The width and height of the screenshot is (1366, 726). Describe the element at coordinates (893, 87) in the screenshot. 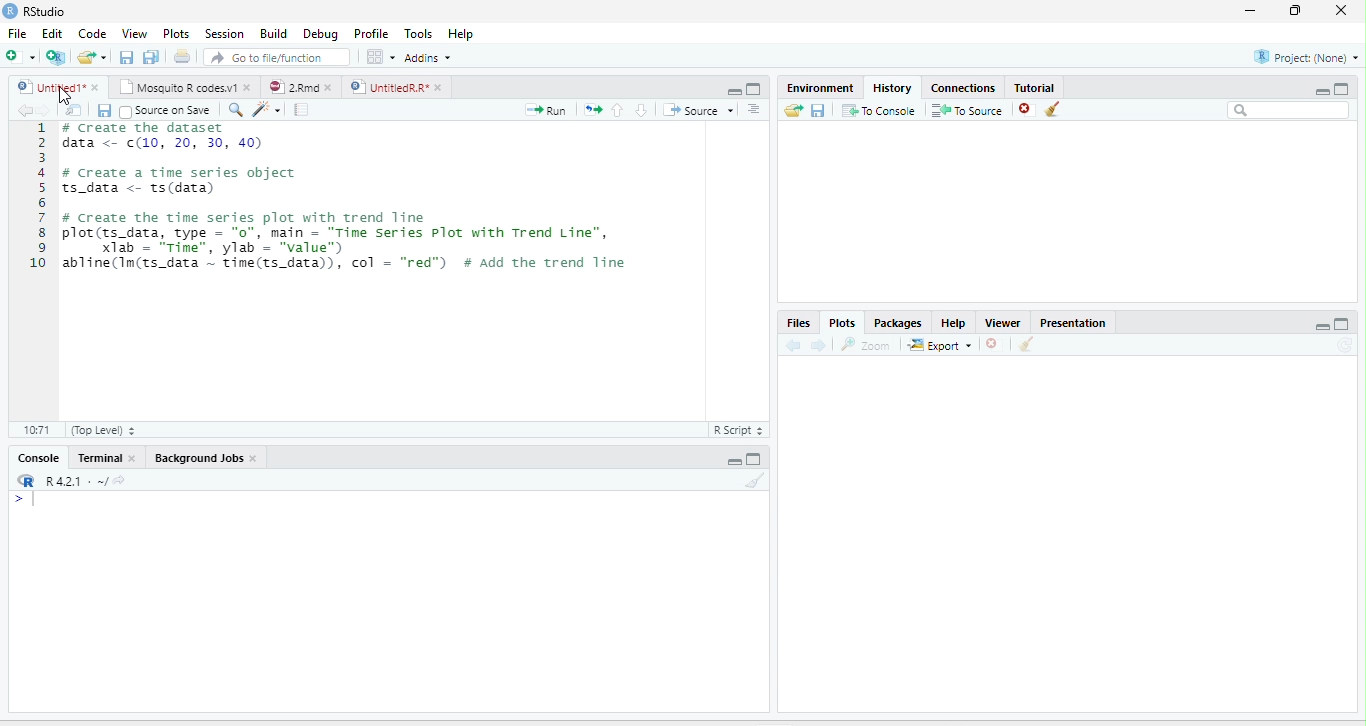

I see `History` at that location.